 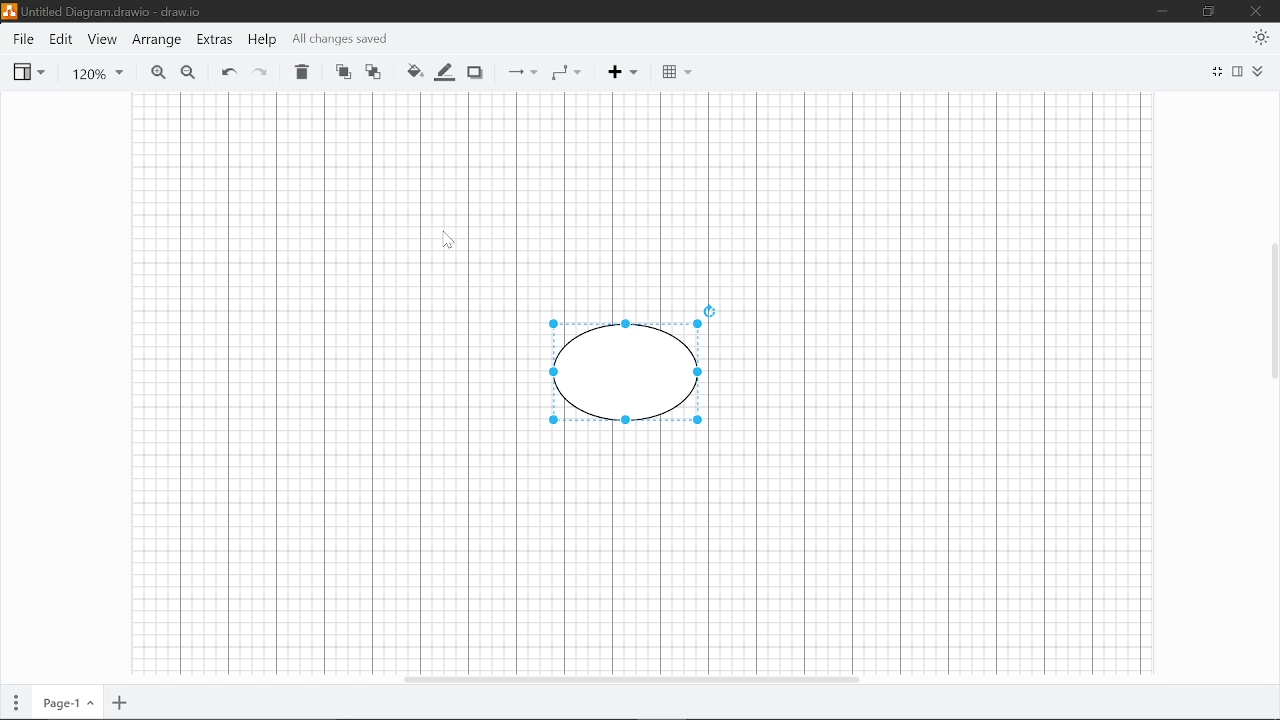 What do you see at coordinates (444, 72) in the screenshot?
I see `Fill line` at bounding box center [444, 72].